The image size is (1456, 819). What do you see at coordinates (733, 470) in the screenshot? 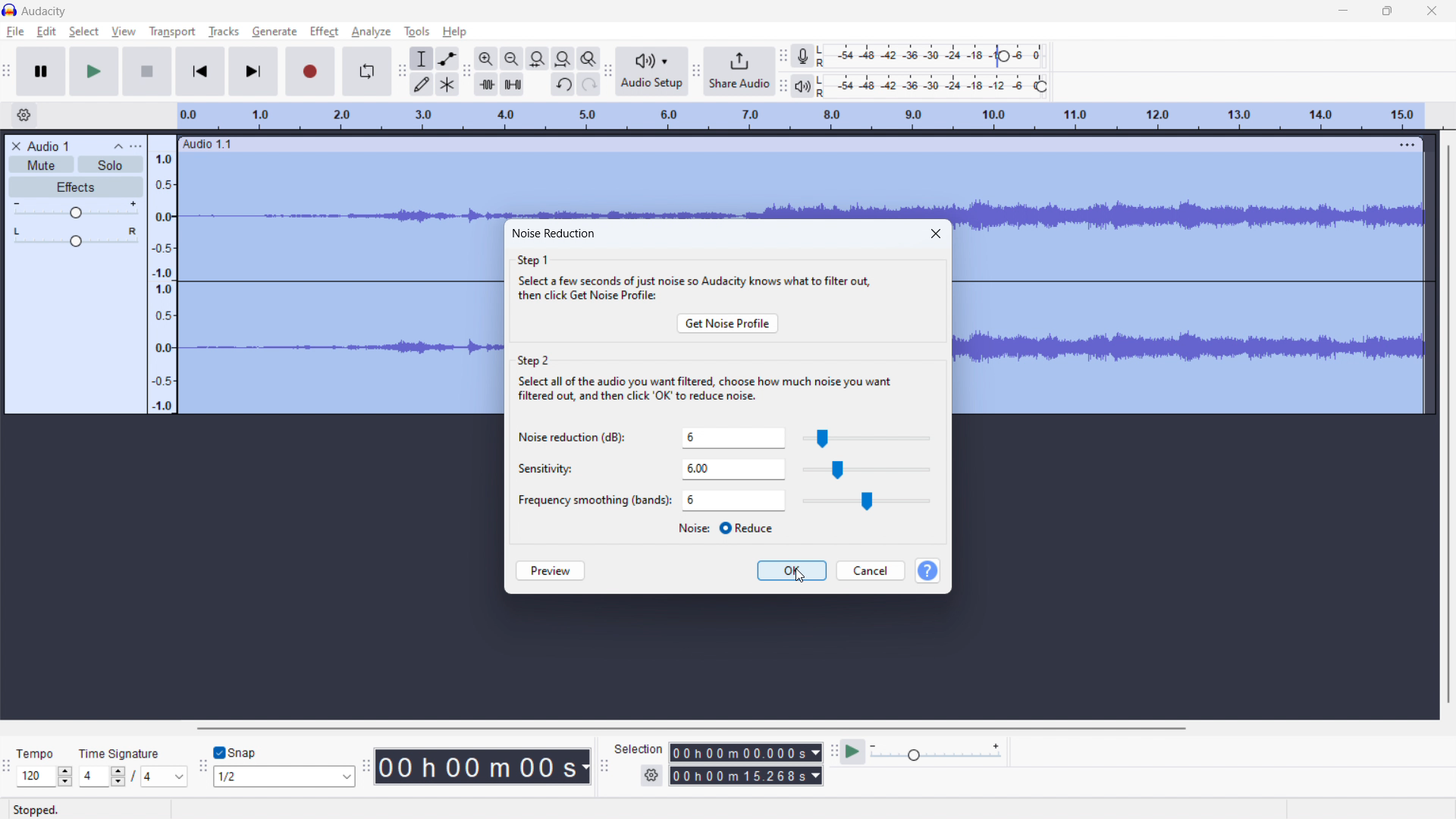
I see `set sensitivity` at bounding box center [733, 470].